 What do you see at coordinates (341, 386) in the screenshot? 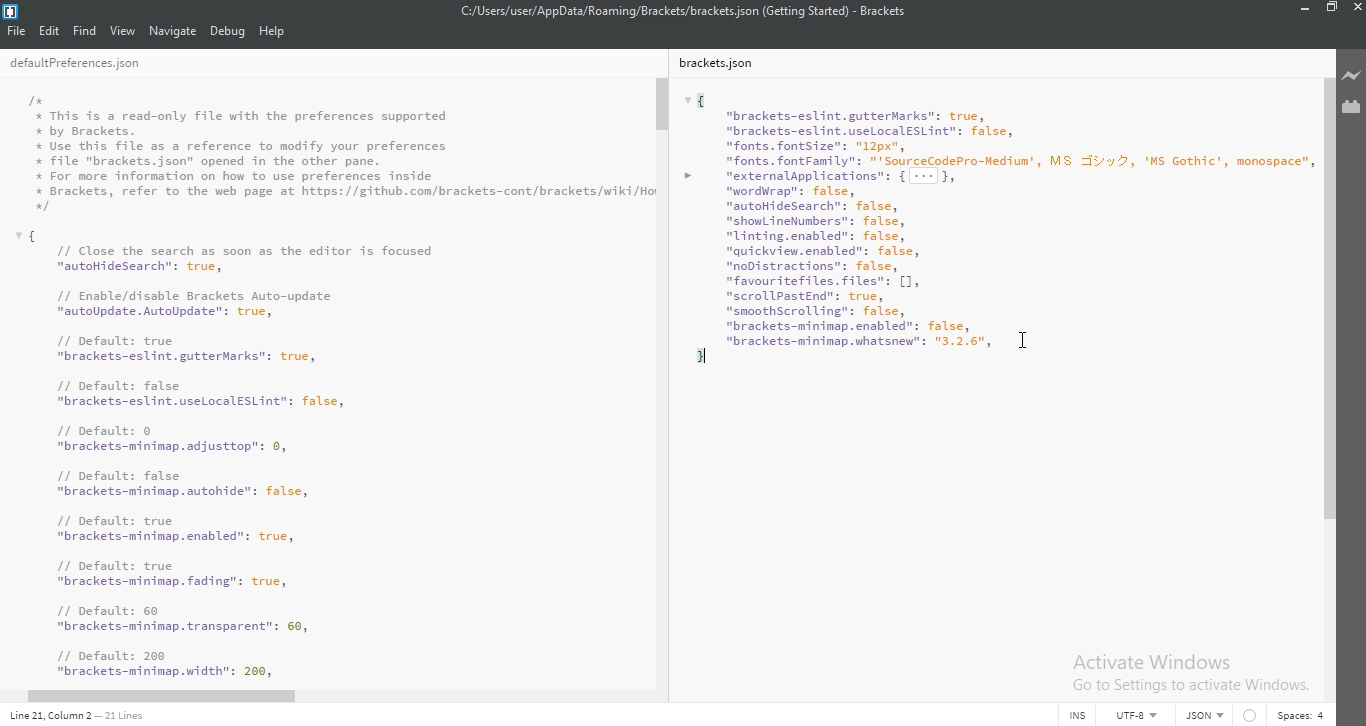
I see `* This is a read-only file with the preferences supported
* by Brackets.
* Use this file as a reference to modify your preferences
+ file "brackets.json" opened in the other pane.
+ For more information on how to use preferences inside
+ Brackets, refer to the web page at https: //github.com/brackets-cont/brackets/wiki/Ho
/
© // Close the search as soon as the editor is focused

"autoHideSearch": true,

// Enable/disable Brackets Auto-update

“autoUpdate. AutoUpdate”: true,

11 Default: true

"brackets-eslint.gutterMarks": true,

77 Default: false

"brackets-eslint.uselocalESLint": false,

11 Default: ©

"brackets-mininap.adjusttop": 0,

71 Default: false

"brackets-mininap.autohide": false,

11 Default: true

"brackets-mininap. enabled": true,

11 Default: true

“"brackets-mininap. fading": true,

11 Default: 60

"brackets-mininap. transparent”: 60,

11 Default: 200

"brackets-minimap.width": 200,` at bounding box center [341, 386].